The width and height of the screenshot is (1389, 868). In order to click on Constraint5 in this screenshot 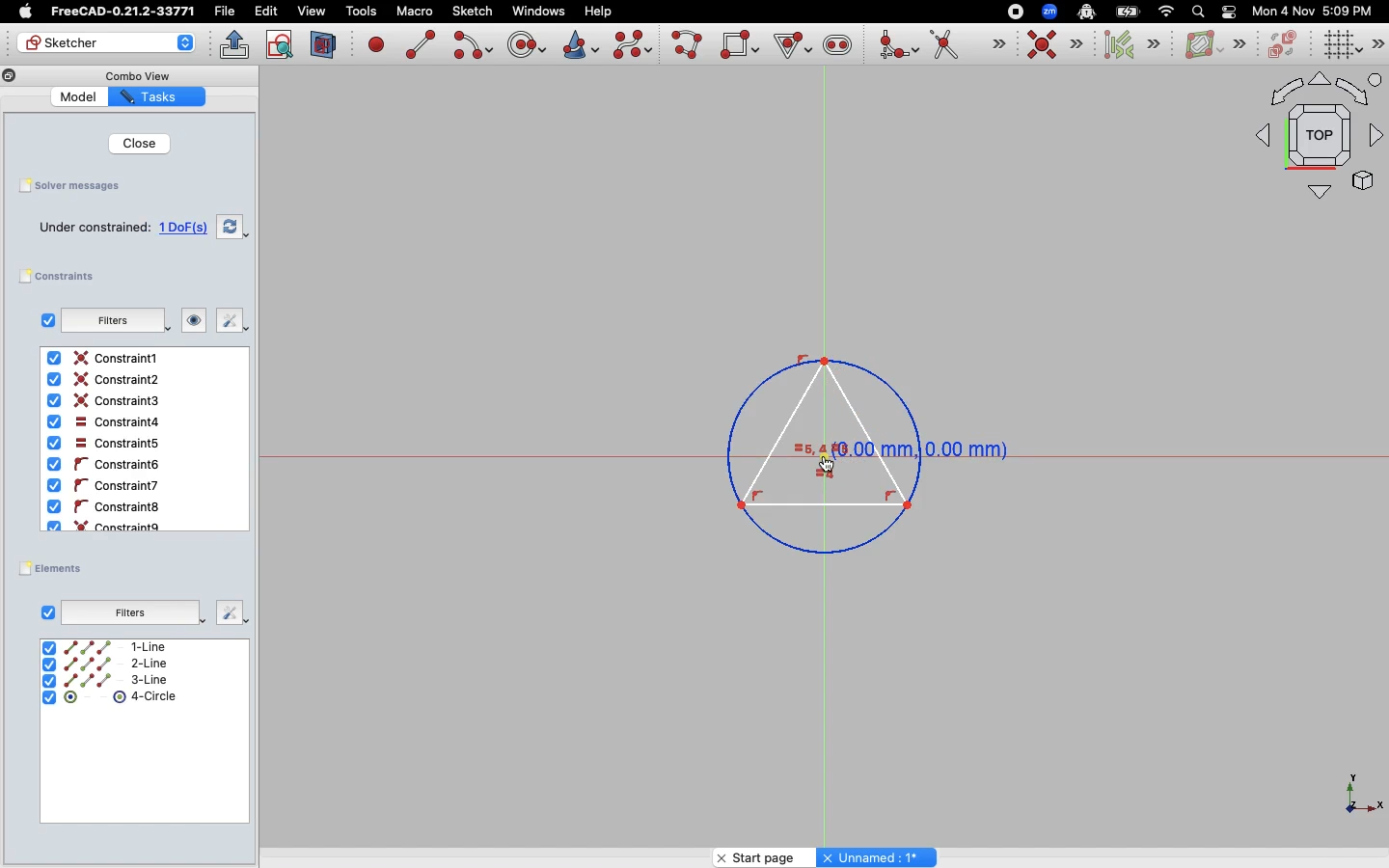, I will do `click(103, 444)`.